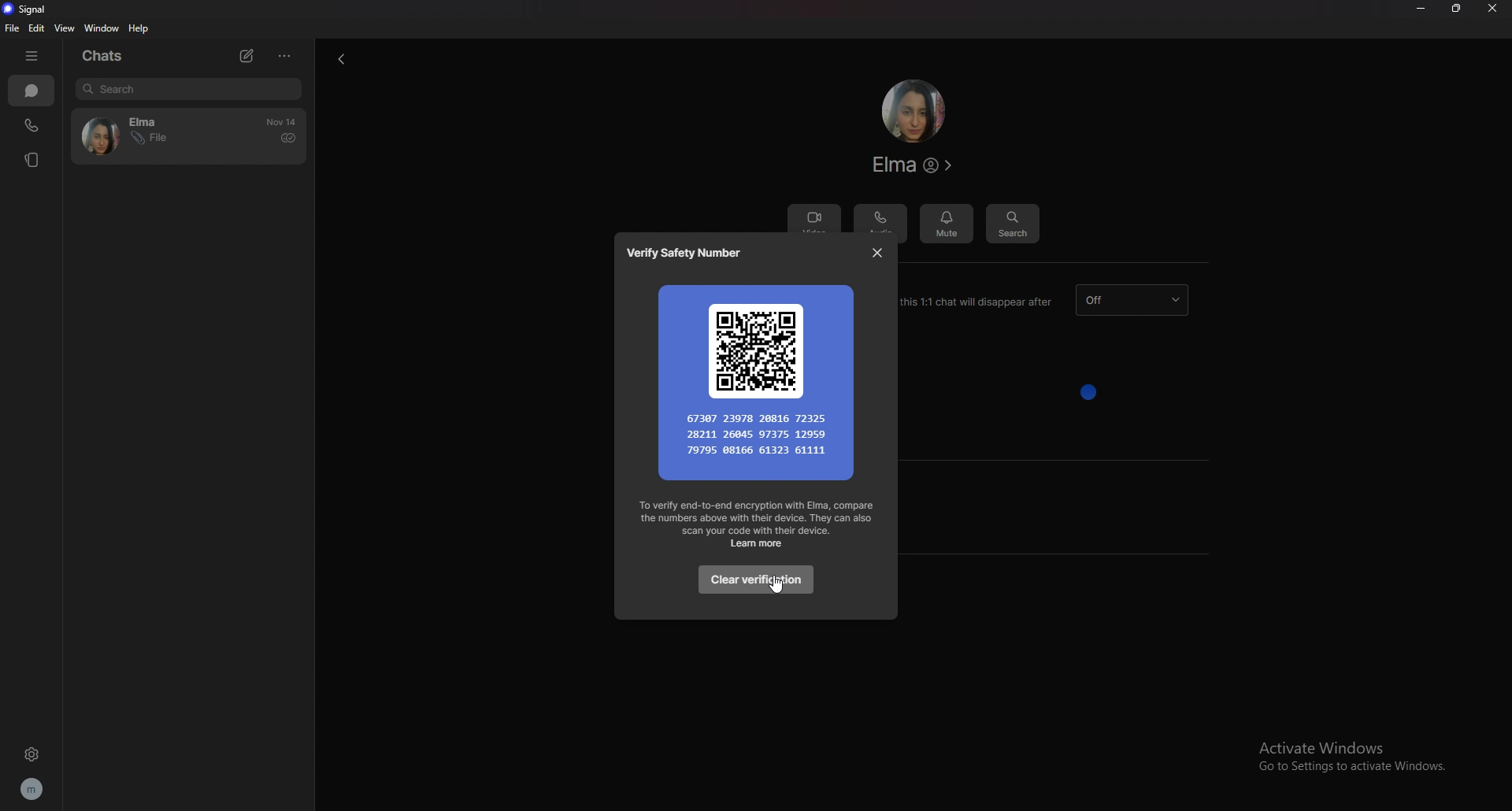 The image size is (1512, 811). Describe the element at coordinates (250, 56) in the screenshot. I see `new chat` at that location.